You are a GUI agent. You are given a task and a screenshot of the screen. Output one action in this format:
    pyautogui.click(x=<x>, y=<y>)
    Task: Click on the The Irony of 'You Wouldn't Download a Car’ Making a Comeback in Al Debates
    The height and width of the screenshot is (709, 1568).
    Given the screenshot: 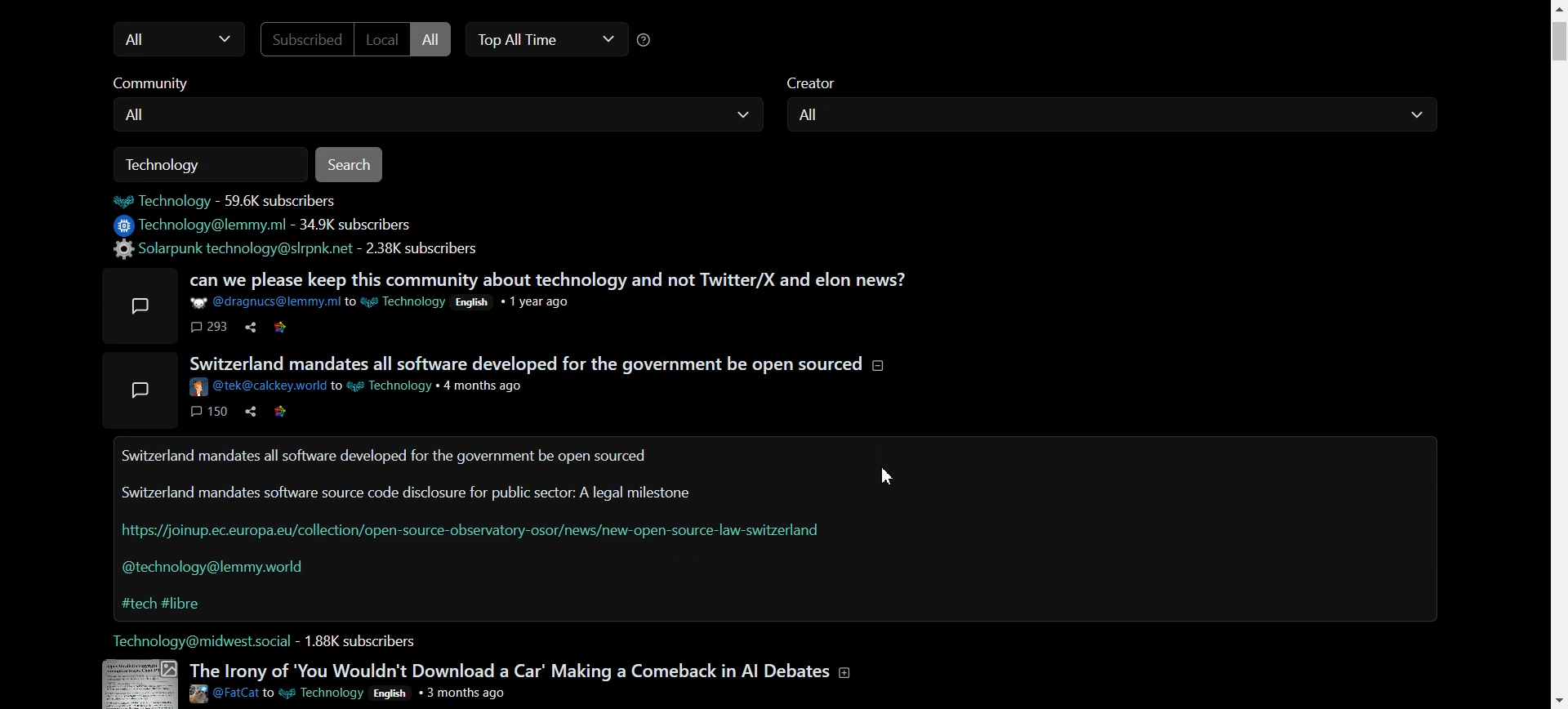 What is the action you would take?
    pyautogui.click(x=521, y=671)
    